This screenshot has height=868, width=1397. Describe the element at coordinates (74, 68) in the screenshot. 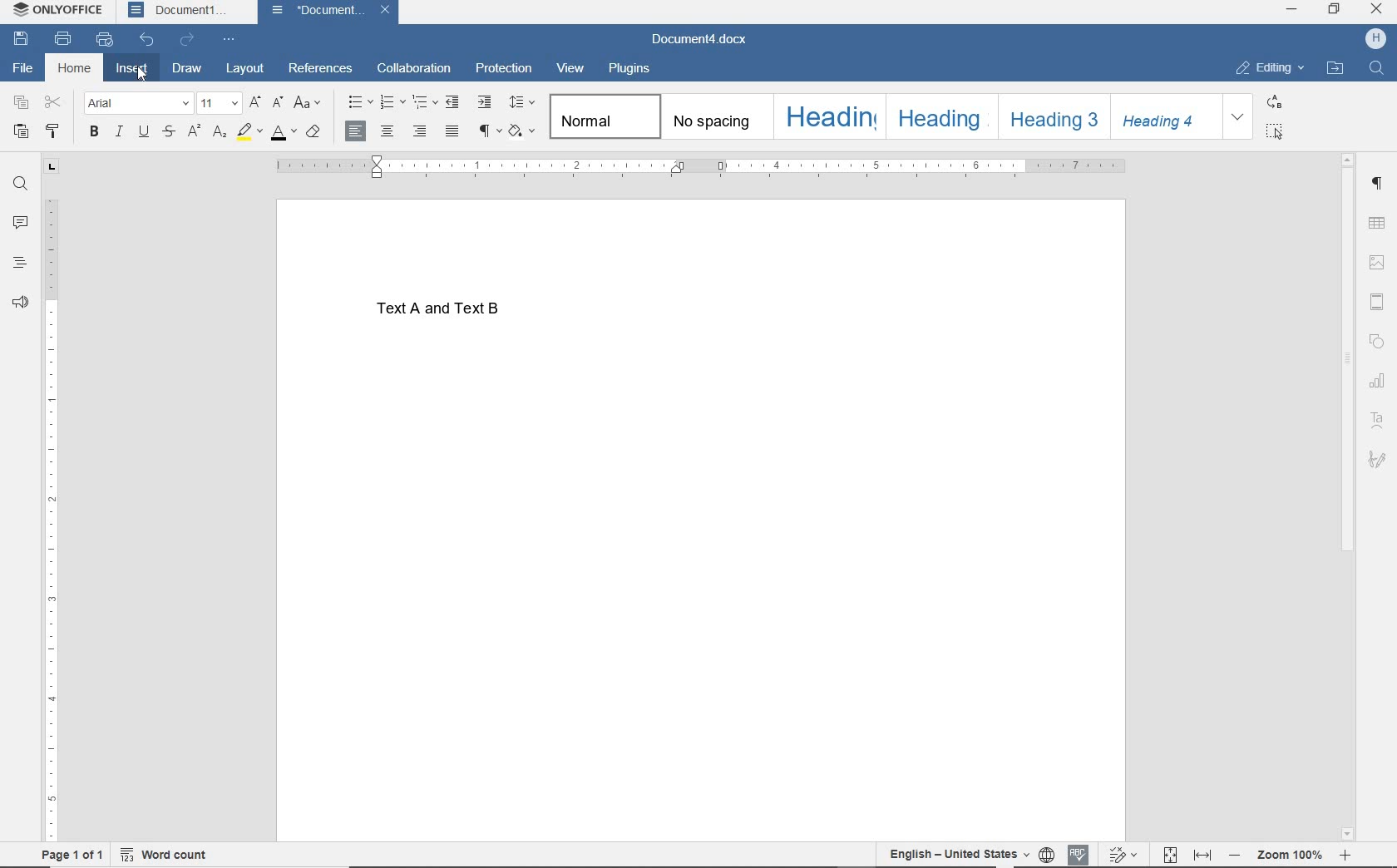

I see `HOME` at that location.